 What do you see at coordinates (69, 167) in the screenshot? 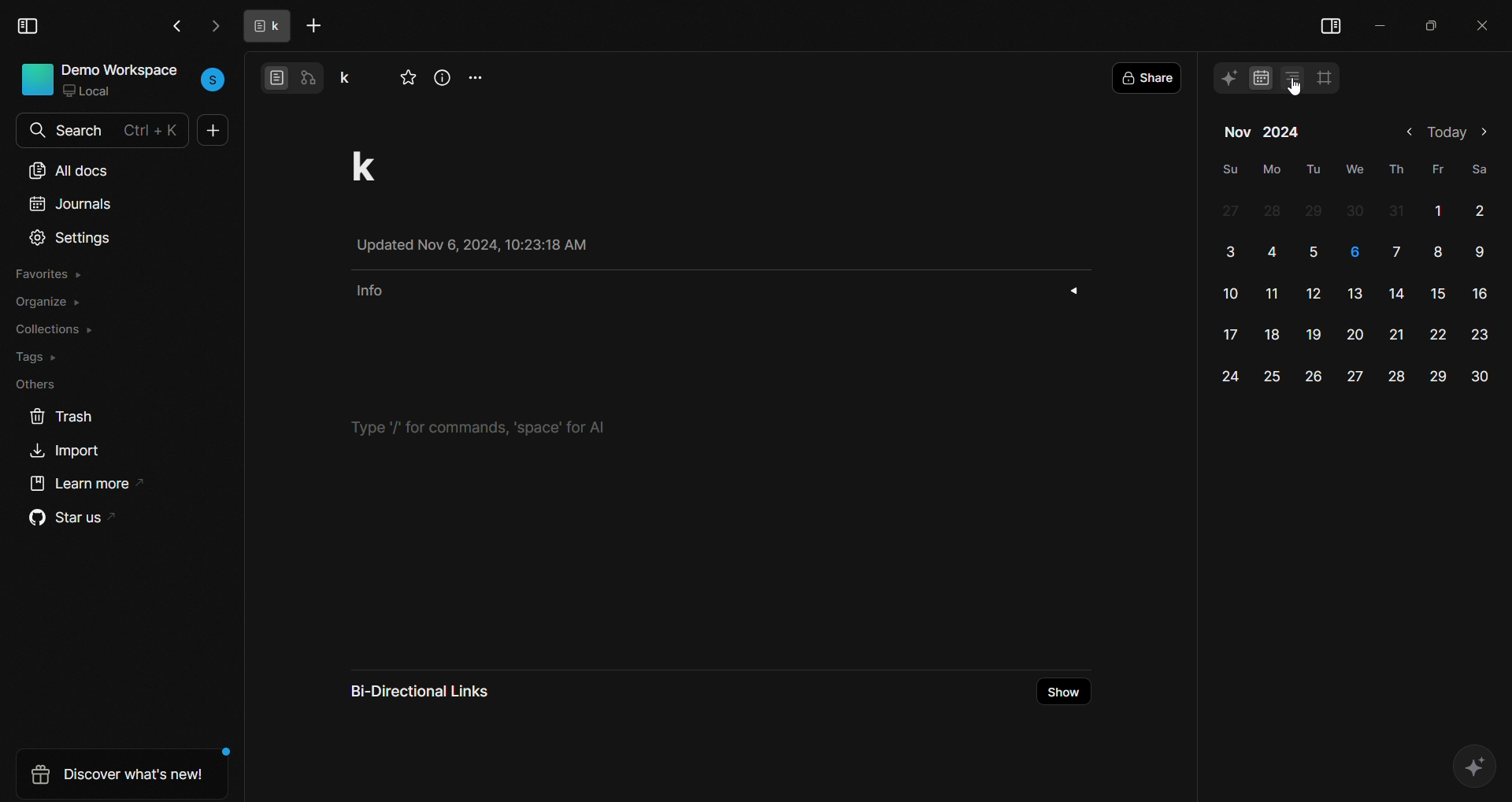
I see `all docs` at bounding box center [69, 167].